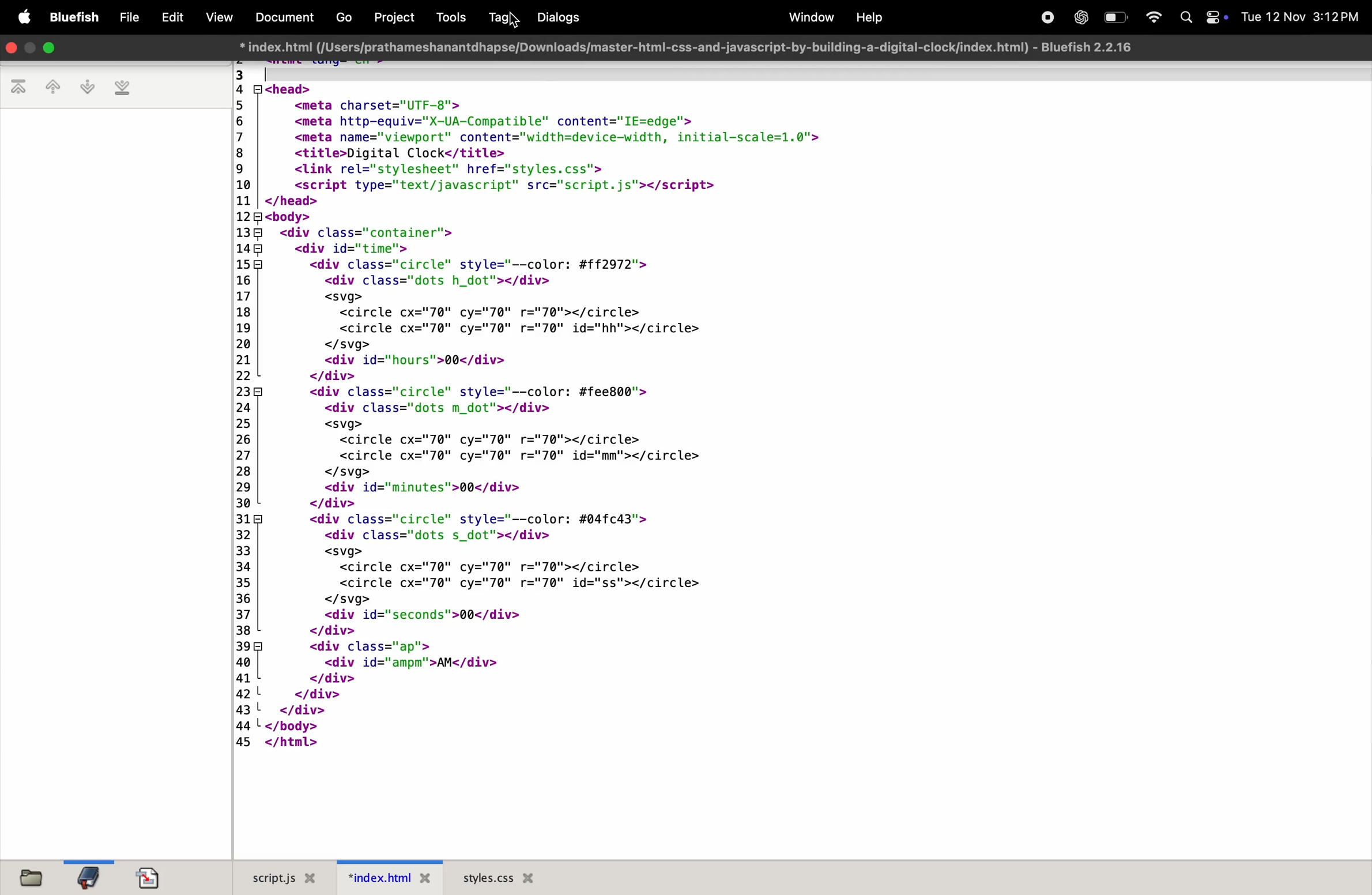 Image resolution: width=1372 pixels, height=895 pixels. Describe the element at coordinates (1203, 17) in the screenshot. I see `apple widgets` at that location.